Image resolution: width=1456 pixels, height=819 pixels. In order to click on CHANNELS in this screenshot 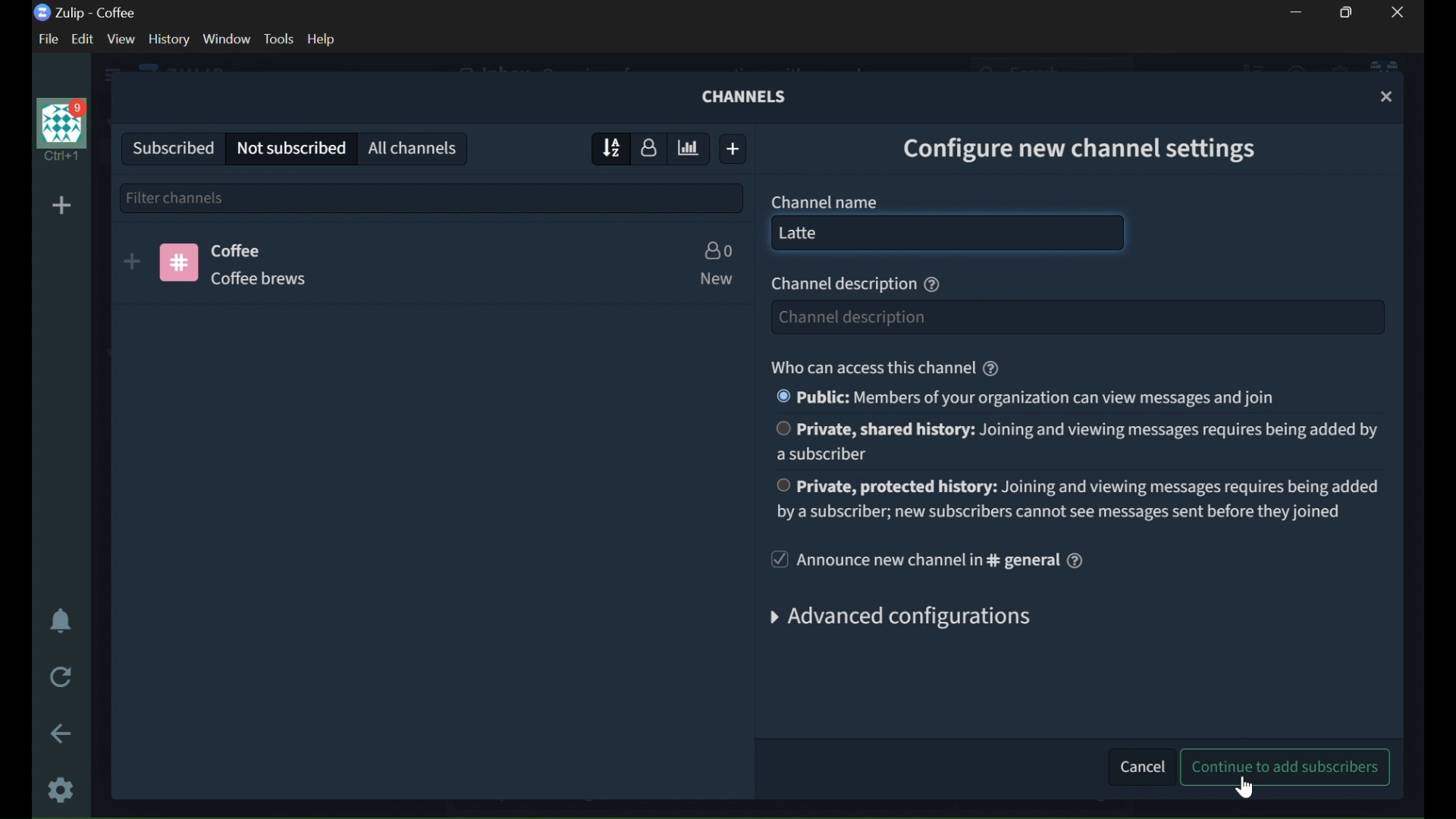, I will do `click(747, 96)`.